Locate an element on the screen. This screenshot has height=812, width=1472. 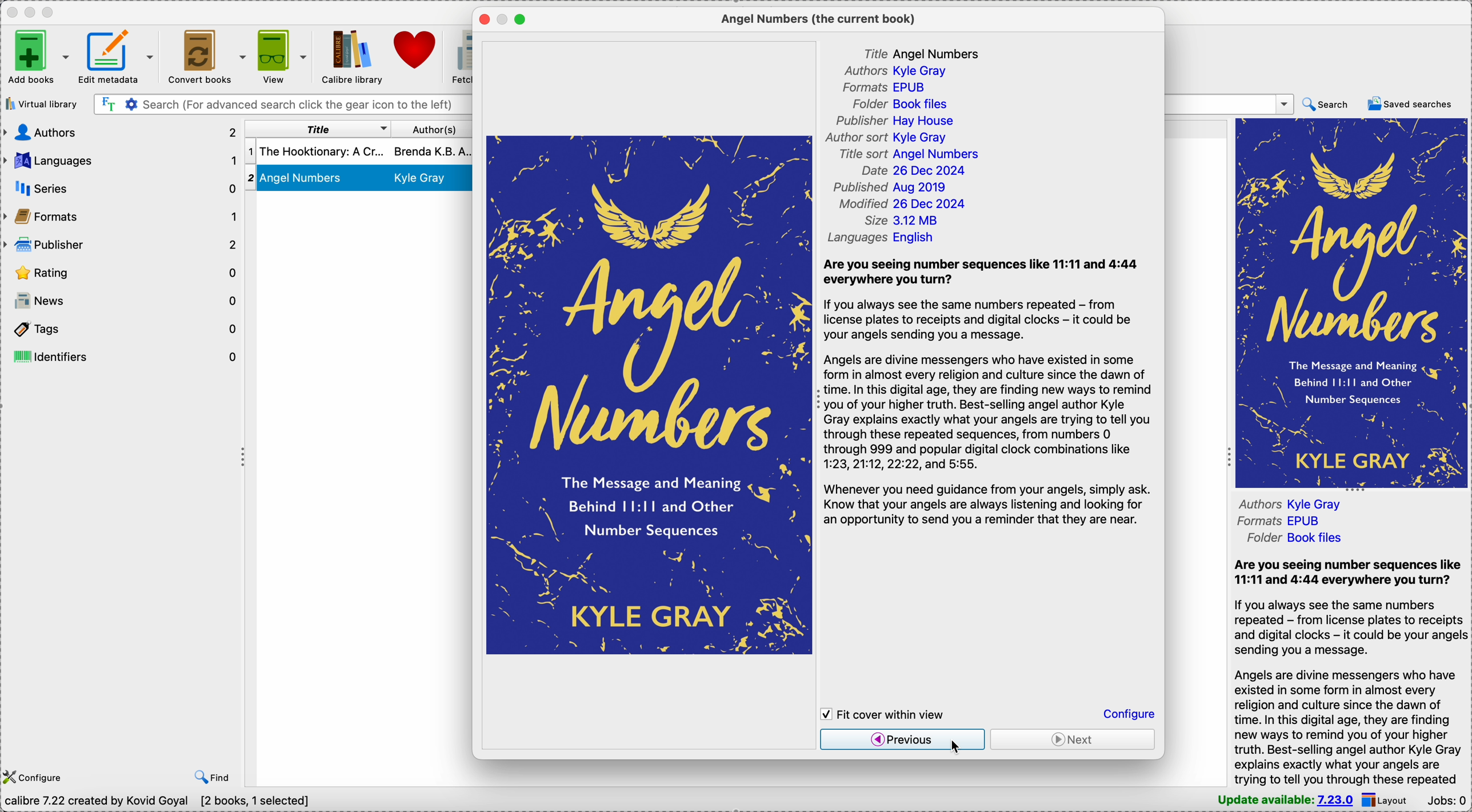
The Hooktionary book is located at coordinates (360, 151).